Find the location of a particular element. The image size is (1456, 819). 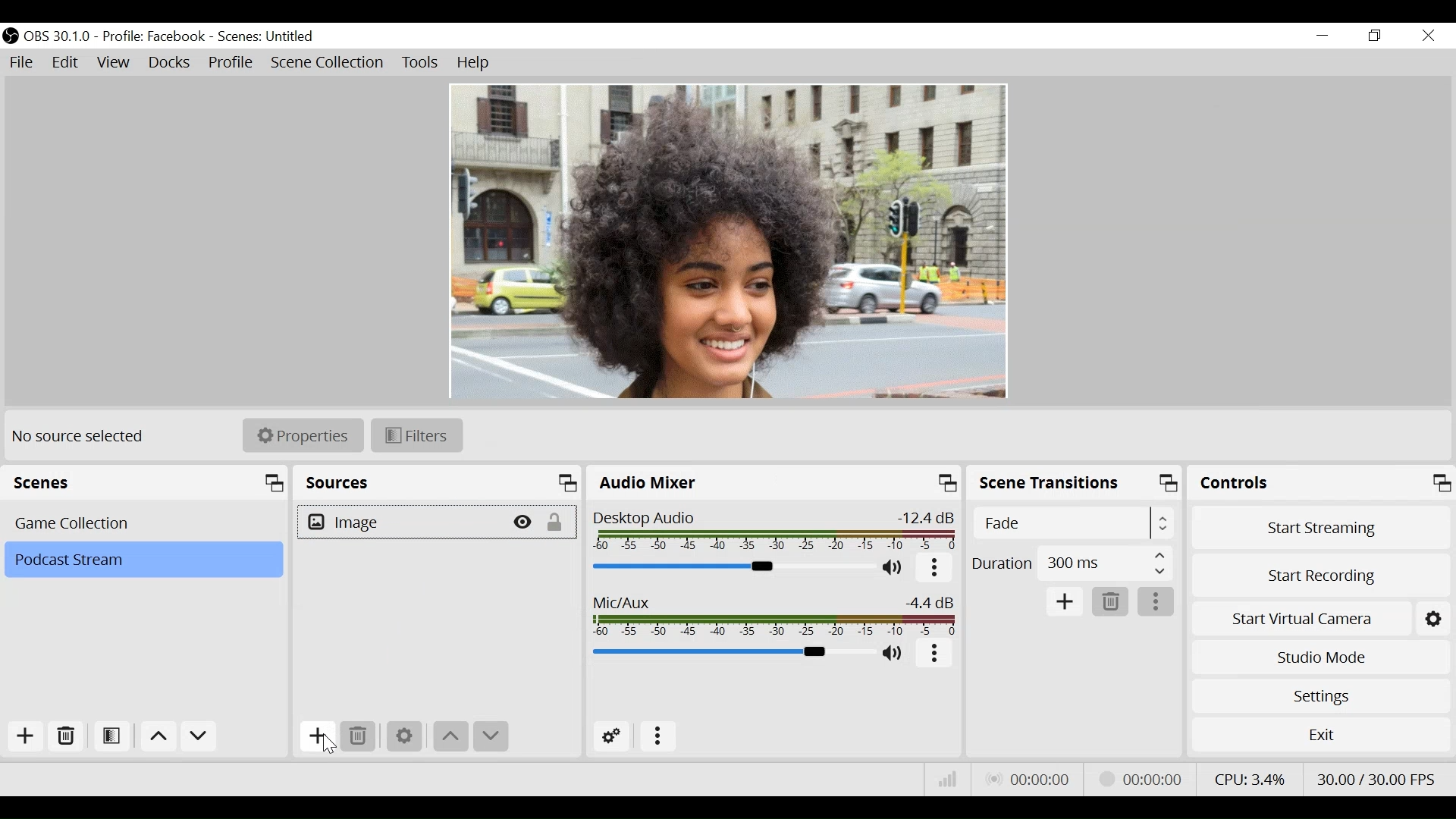

Scene Transition is located at coordinates (1076, 485).